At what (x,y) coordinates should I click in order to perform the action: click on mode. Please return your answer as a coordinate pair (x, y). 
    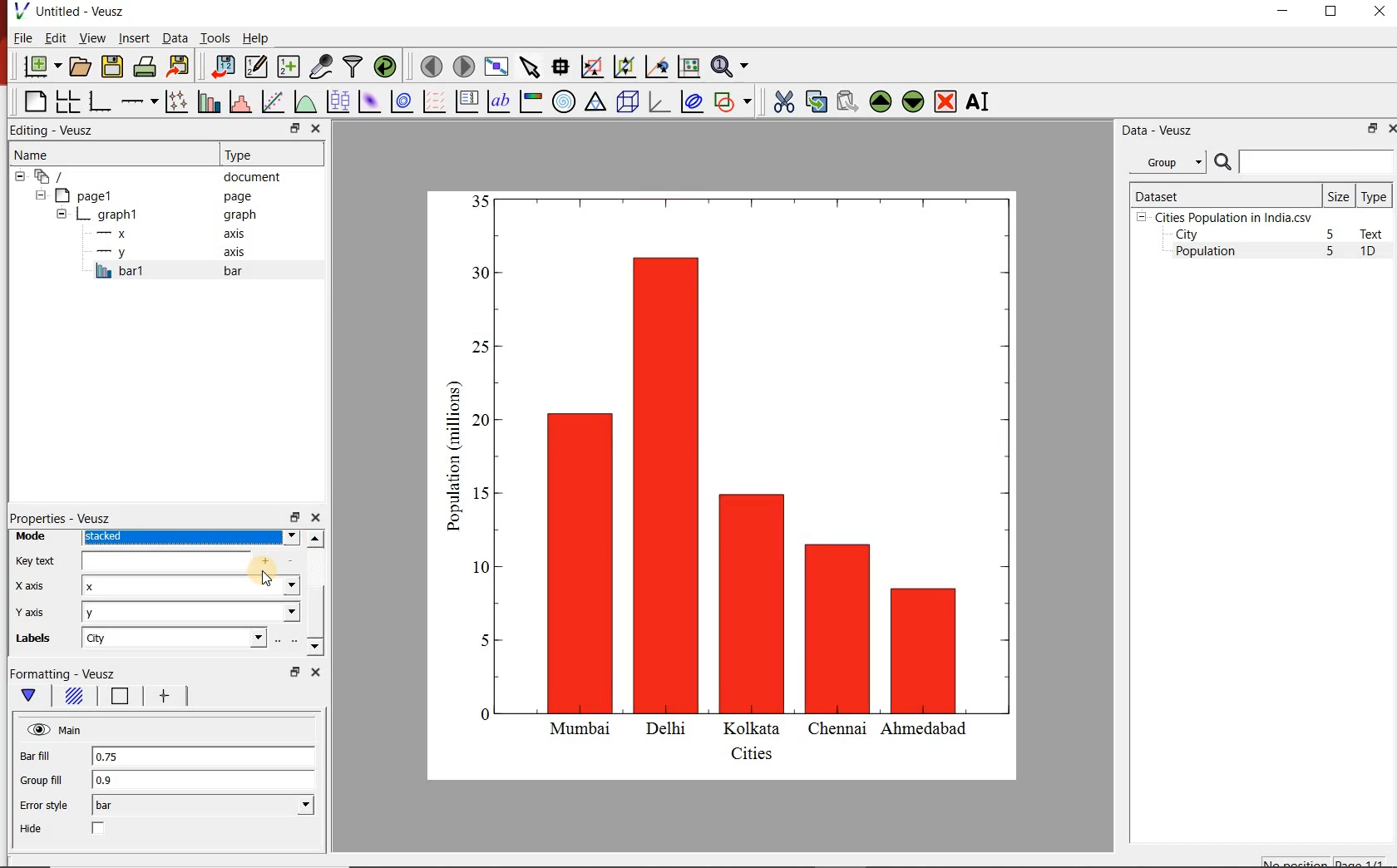
    Looking at the image, I should click on (33, 537).